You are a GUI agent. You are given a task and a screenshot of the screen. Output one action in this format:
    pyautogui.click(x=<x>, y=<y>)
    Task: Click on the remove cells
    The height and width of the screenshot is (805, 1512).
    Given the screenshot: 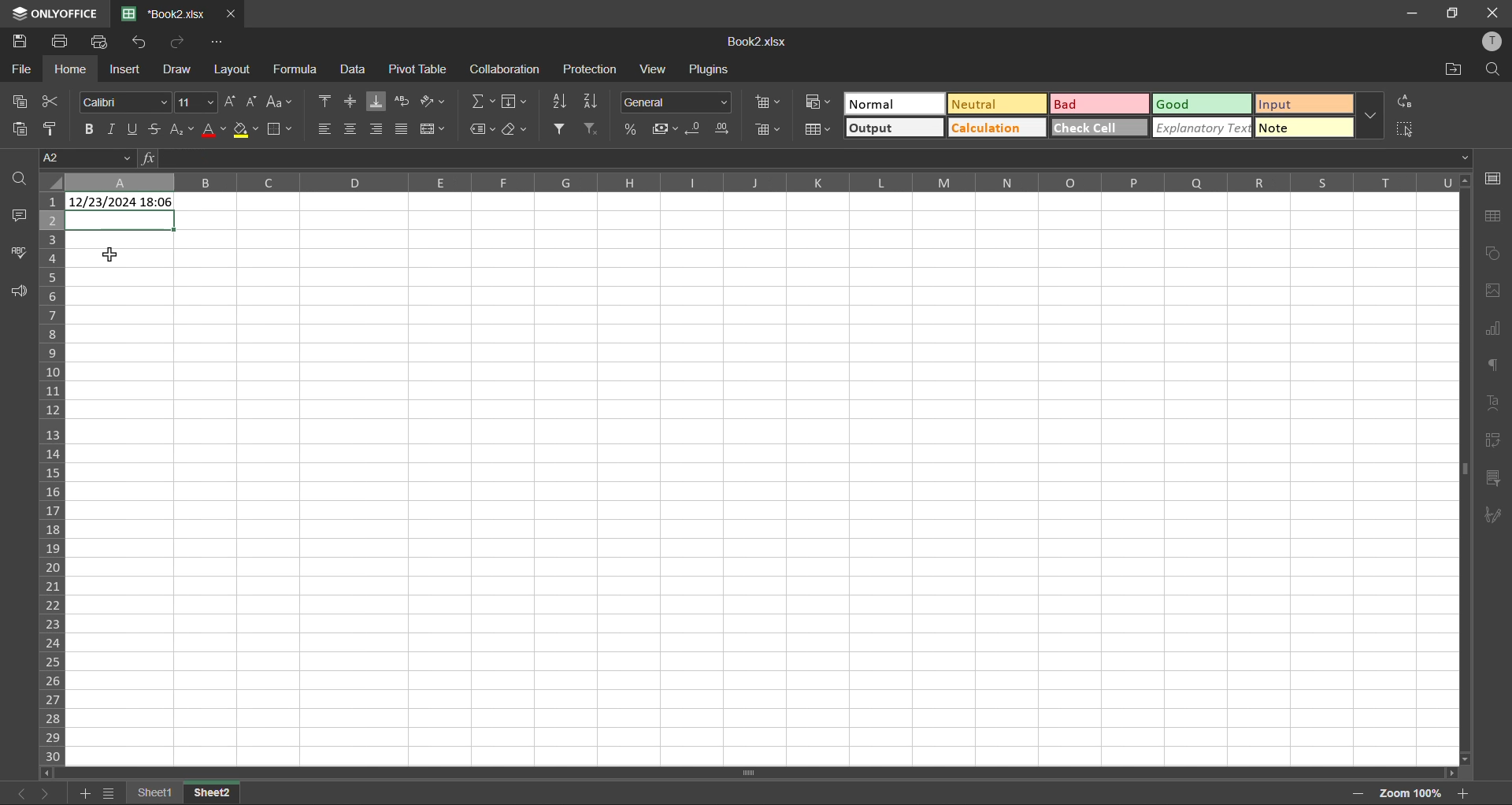 What is the action you would take?
    pyautogui.click(x=773, y=131)
    